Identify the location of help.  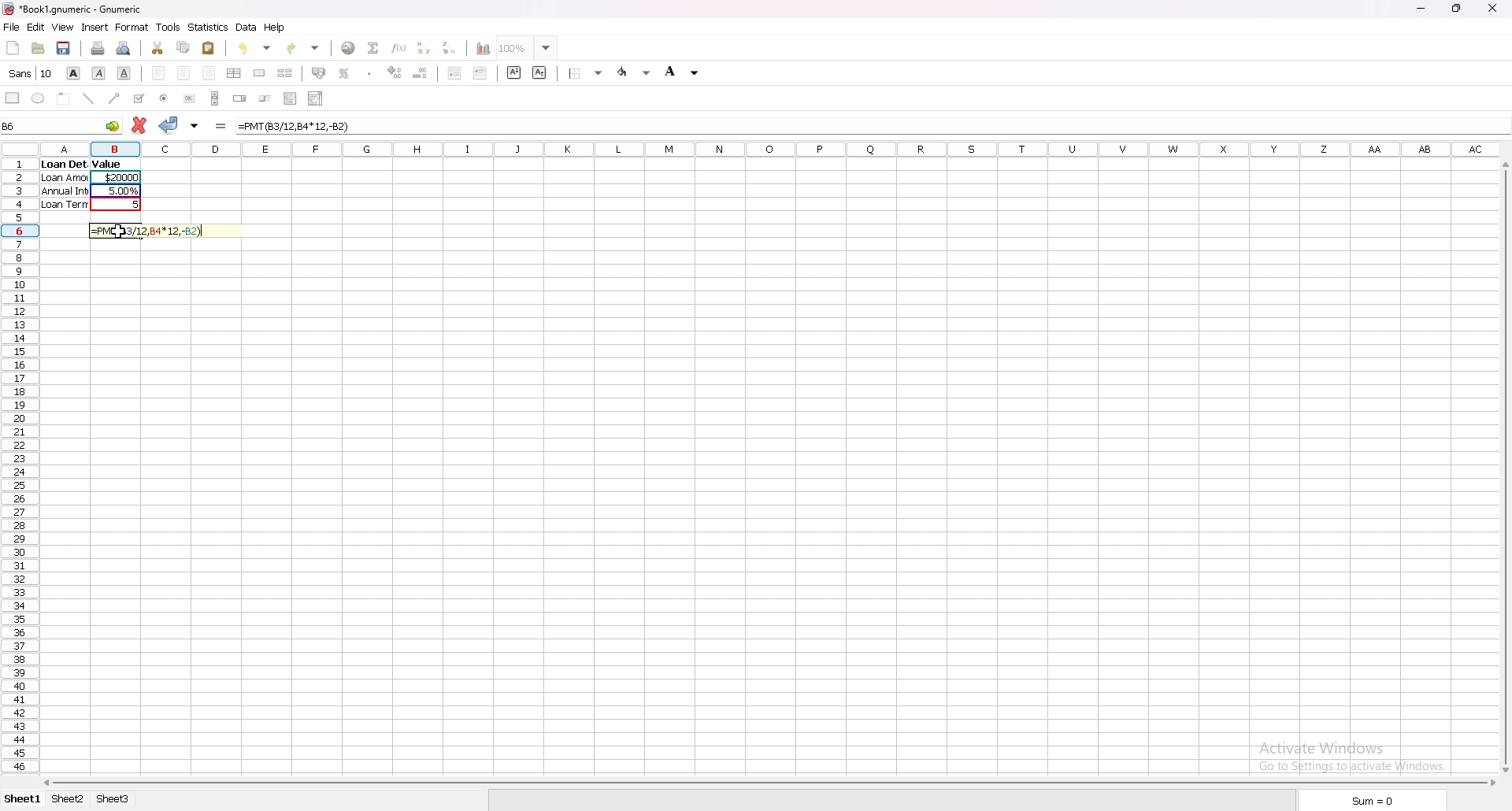
(275, 28).